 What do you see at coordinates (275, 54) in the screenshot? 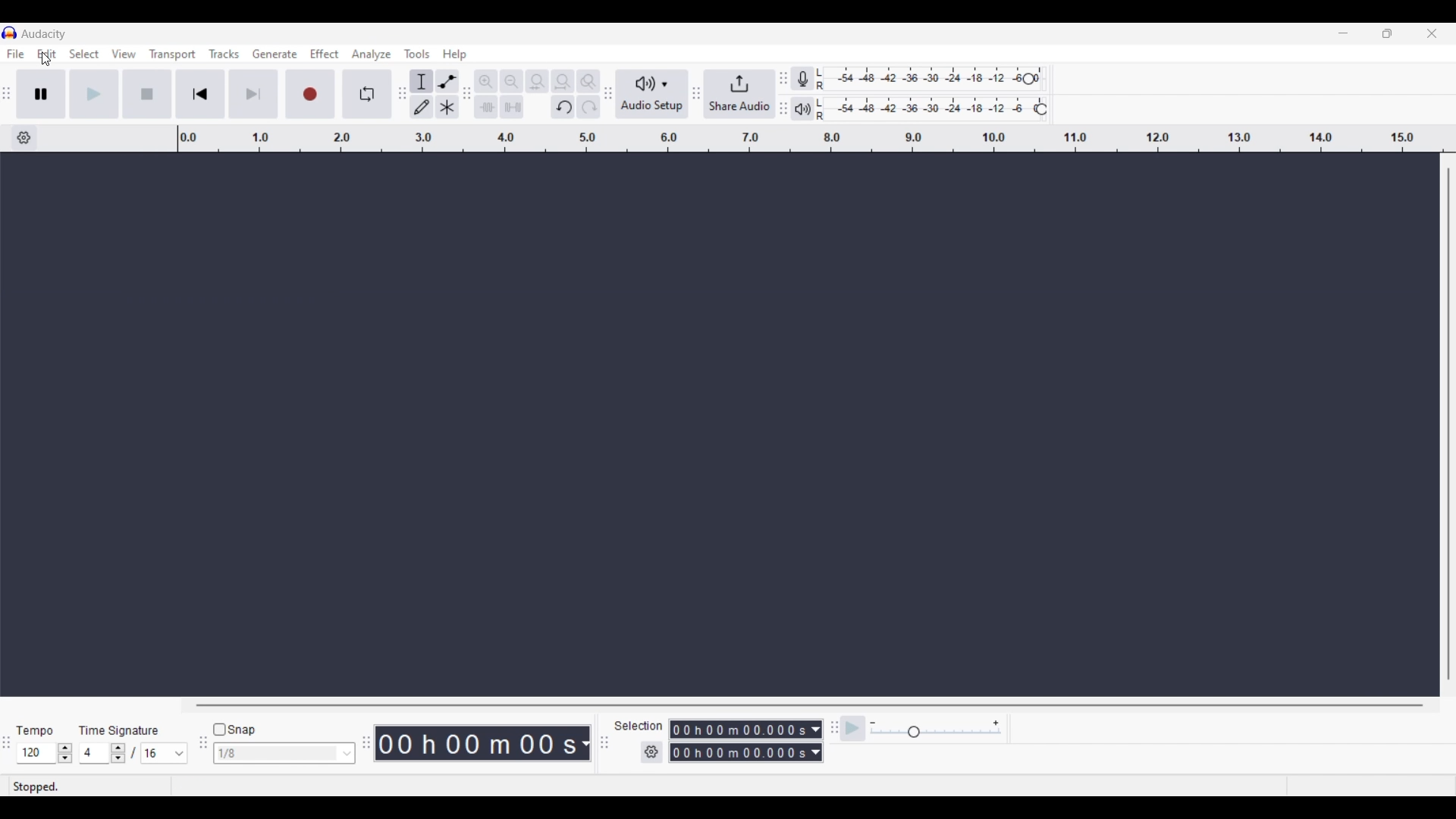
I see `Generate menu` at bounding box center [275, 54].